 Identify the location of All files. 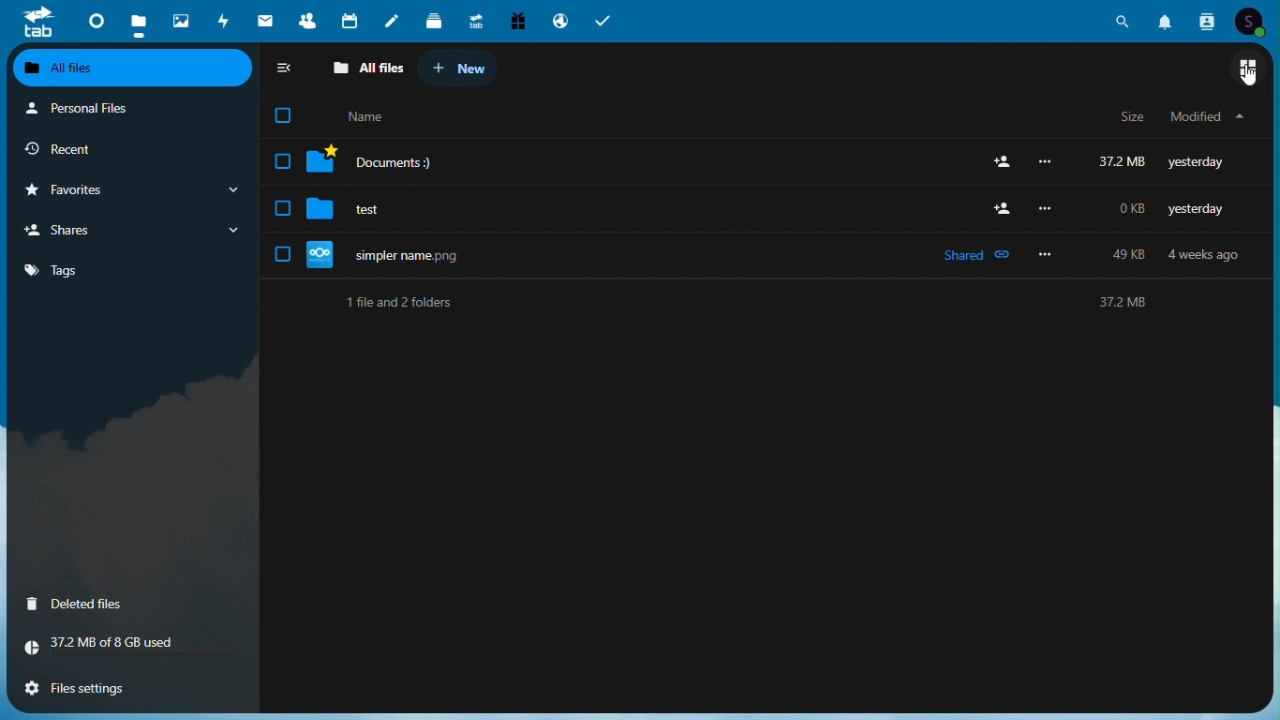
(132, 66).